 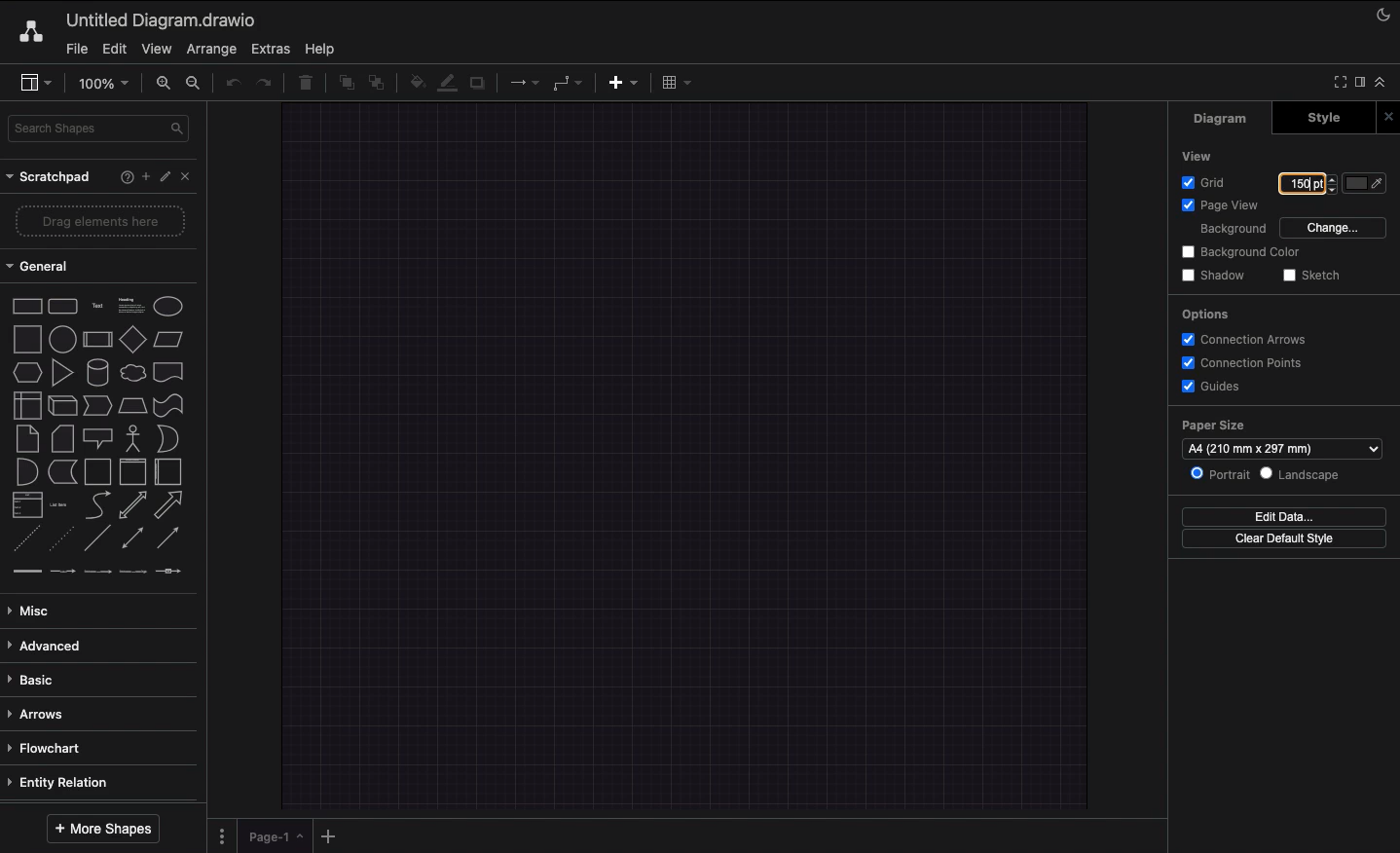 I want to click on Clear default style, so click(x=1287, y=539).